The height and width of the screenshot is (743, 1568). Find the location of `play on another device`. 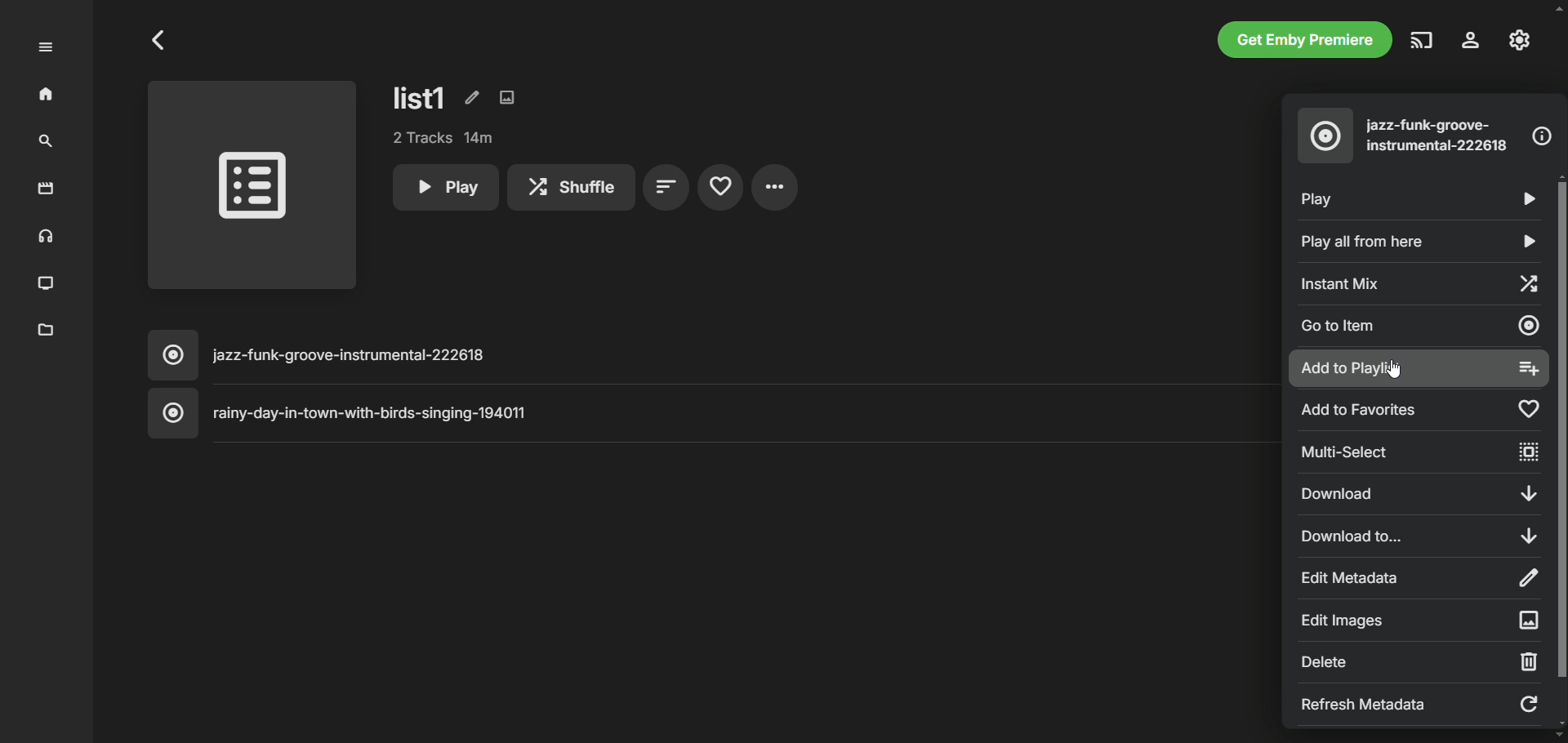

play on another device is located at coordinates (1423, 40).